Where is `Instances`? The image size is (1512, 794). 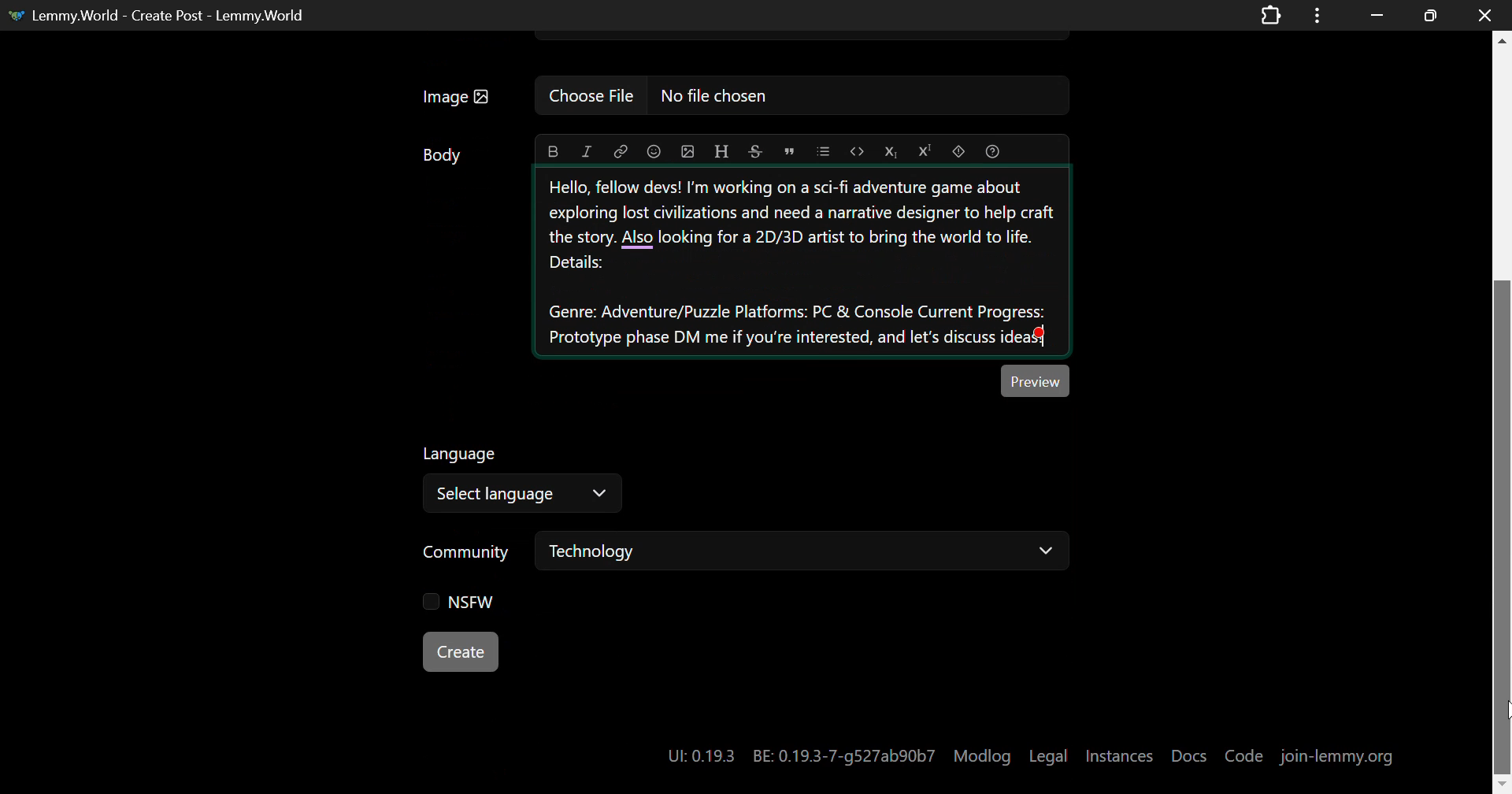 Instances is located at coordinates (1121, 753).